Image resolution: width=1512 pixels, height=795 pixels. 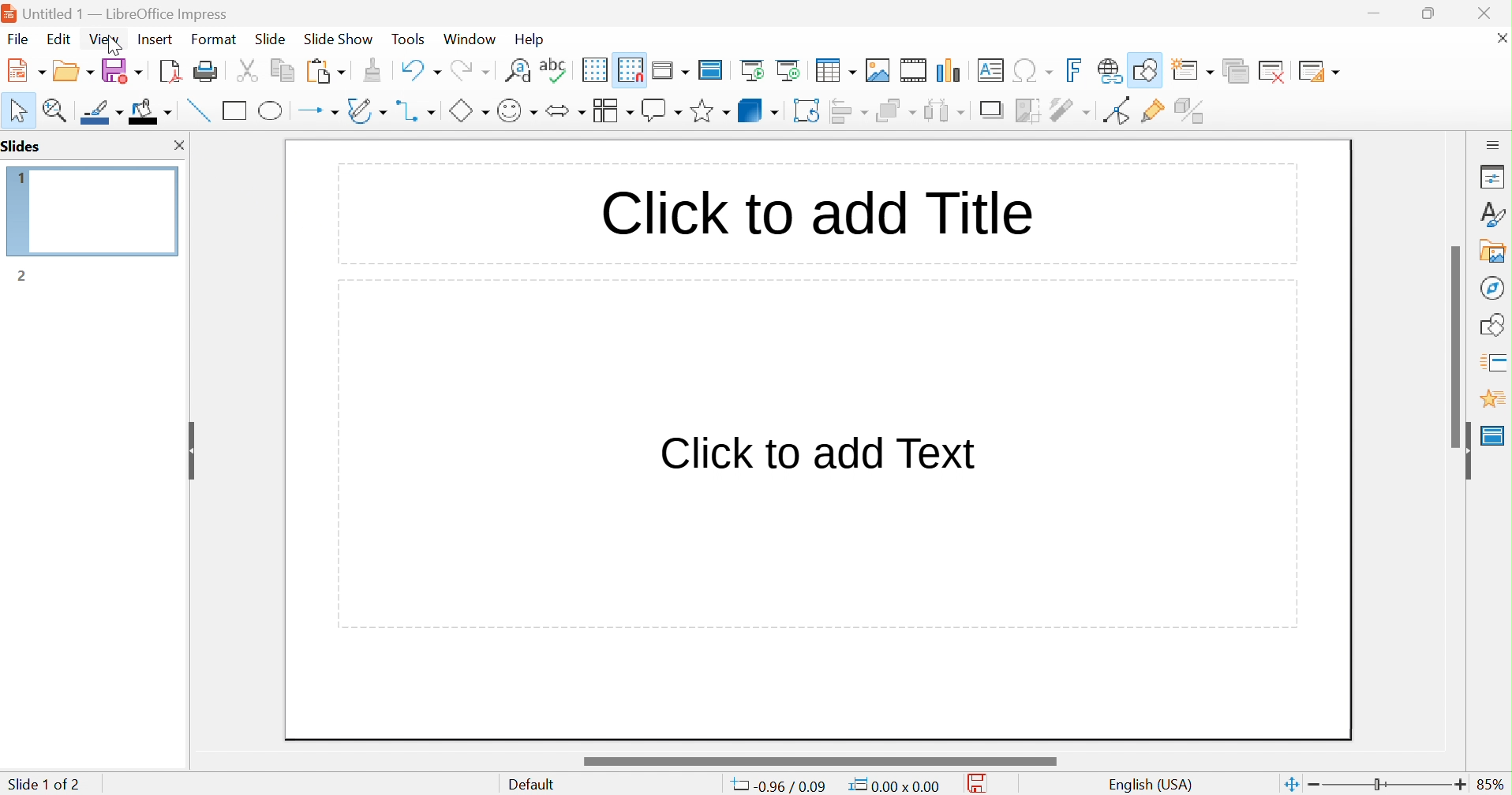 I want to click on select at least three objects to distribute, so click(x=945, y=110).